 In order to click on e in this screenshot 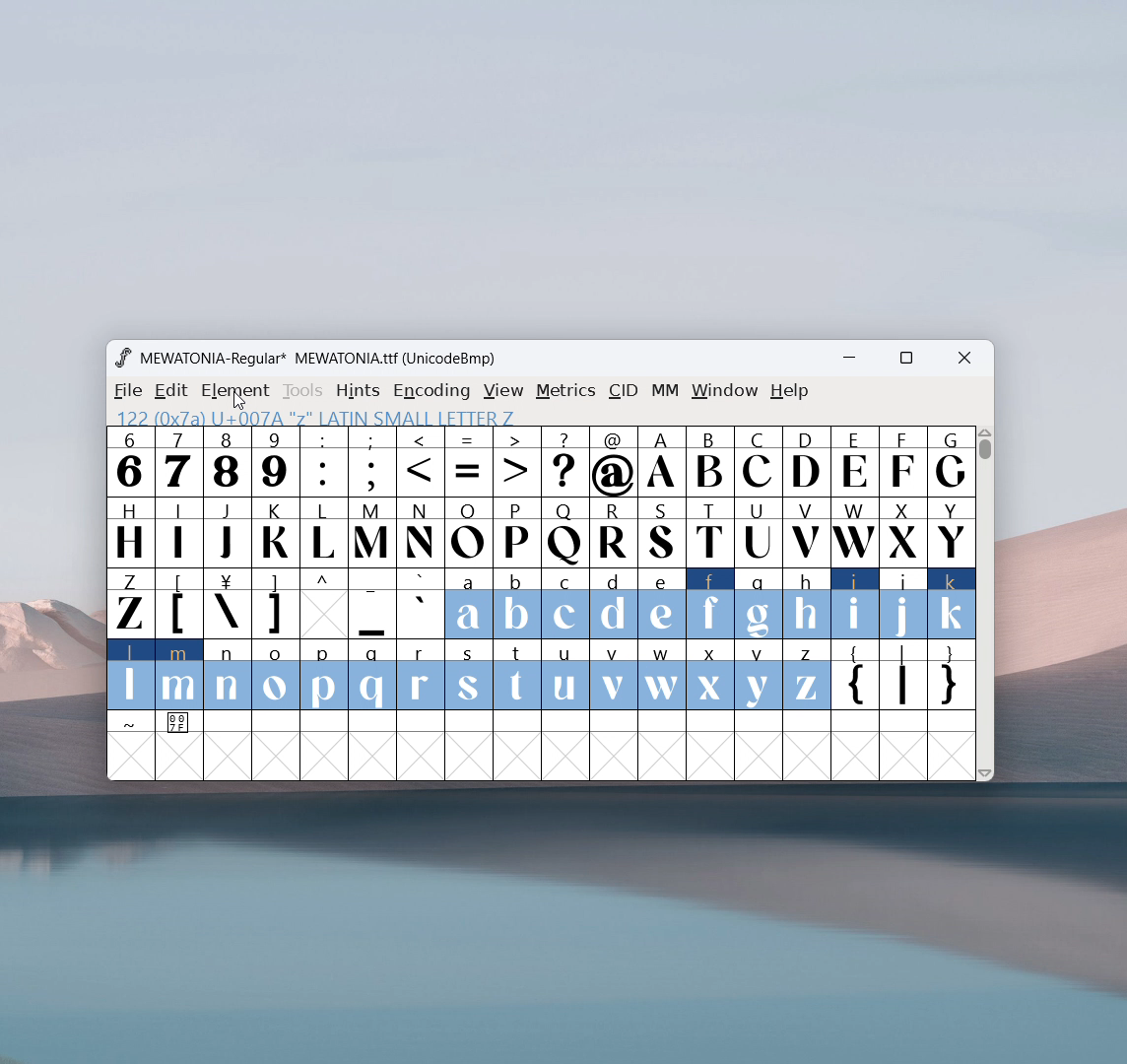, I will do `click(662, 605)`.